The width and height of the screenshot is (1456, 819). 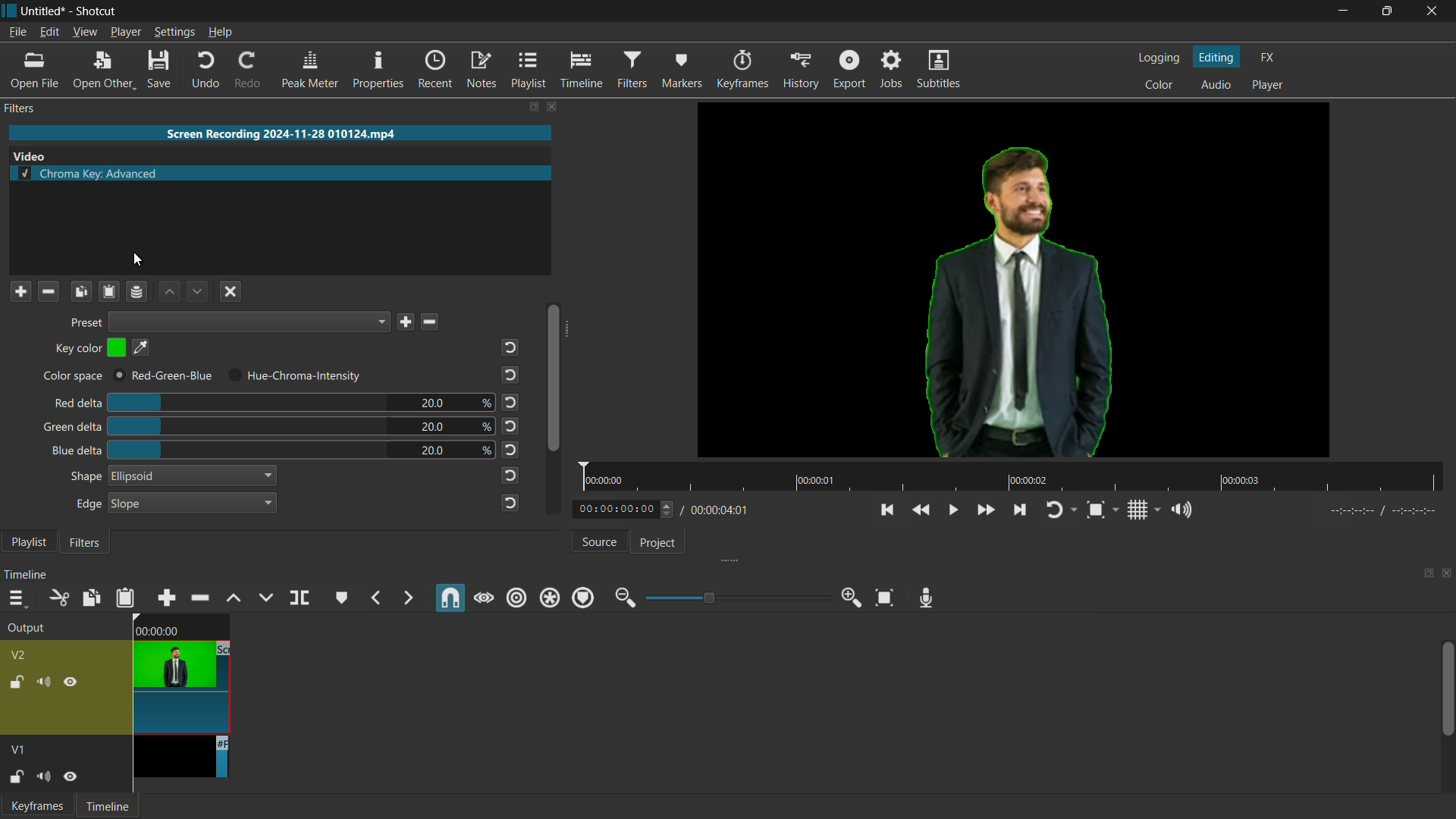 I want to click on reset to default, so click(x=510, y=475).